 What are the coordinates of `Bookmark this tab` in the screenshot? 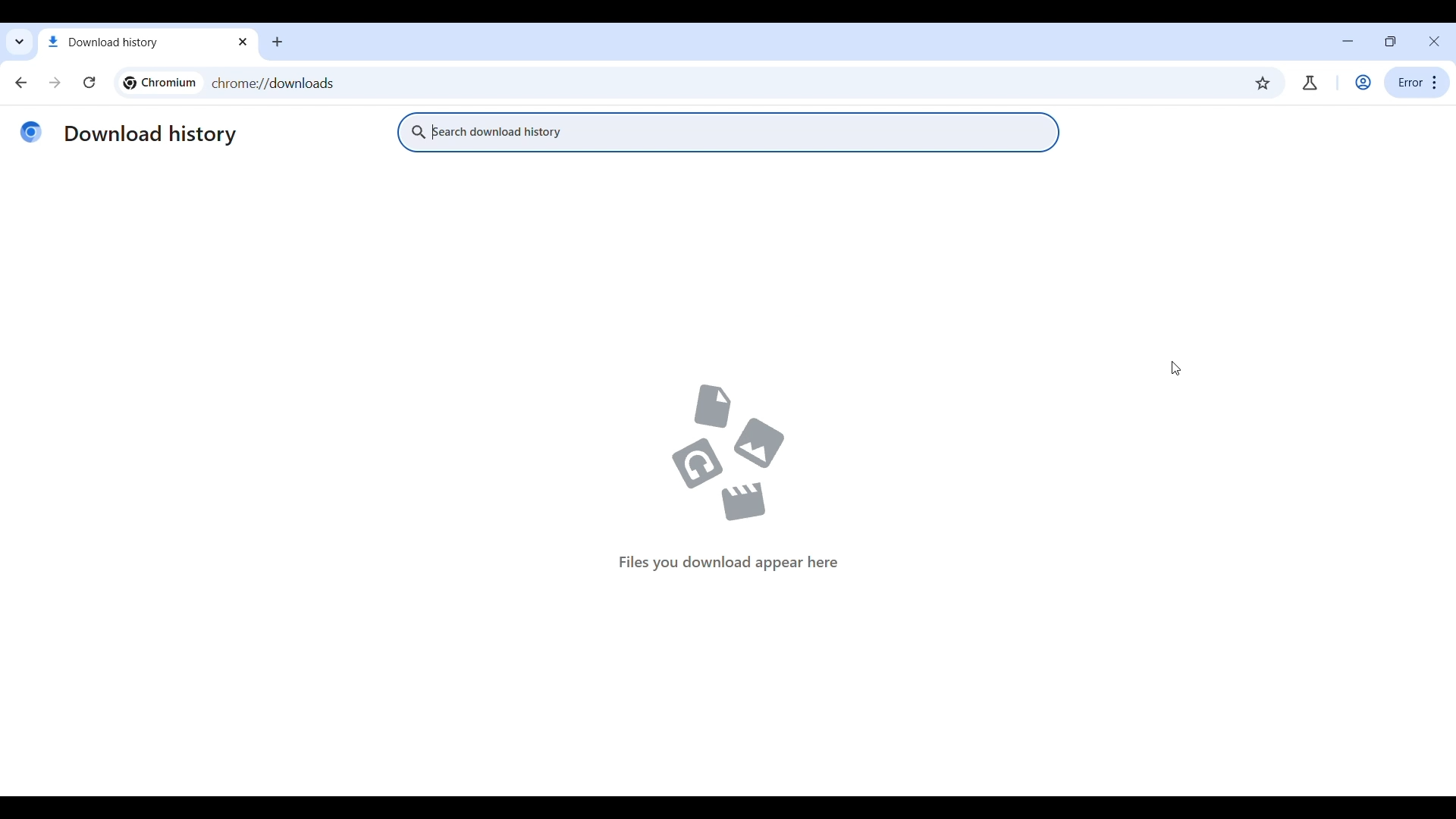 It's located at (1263, 83).